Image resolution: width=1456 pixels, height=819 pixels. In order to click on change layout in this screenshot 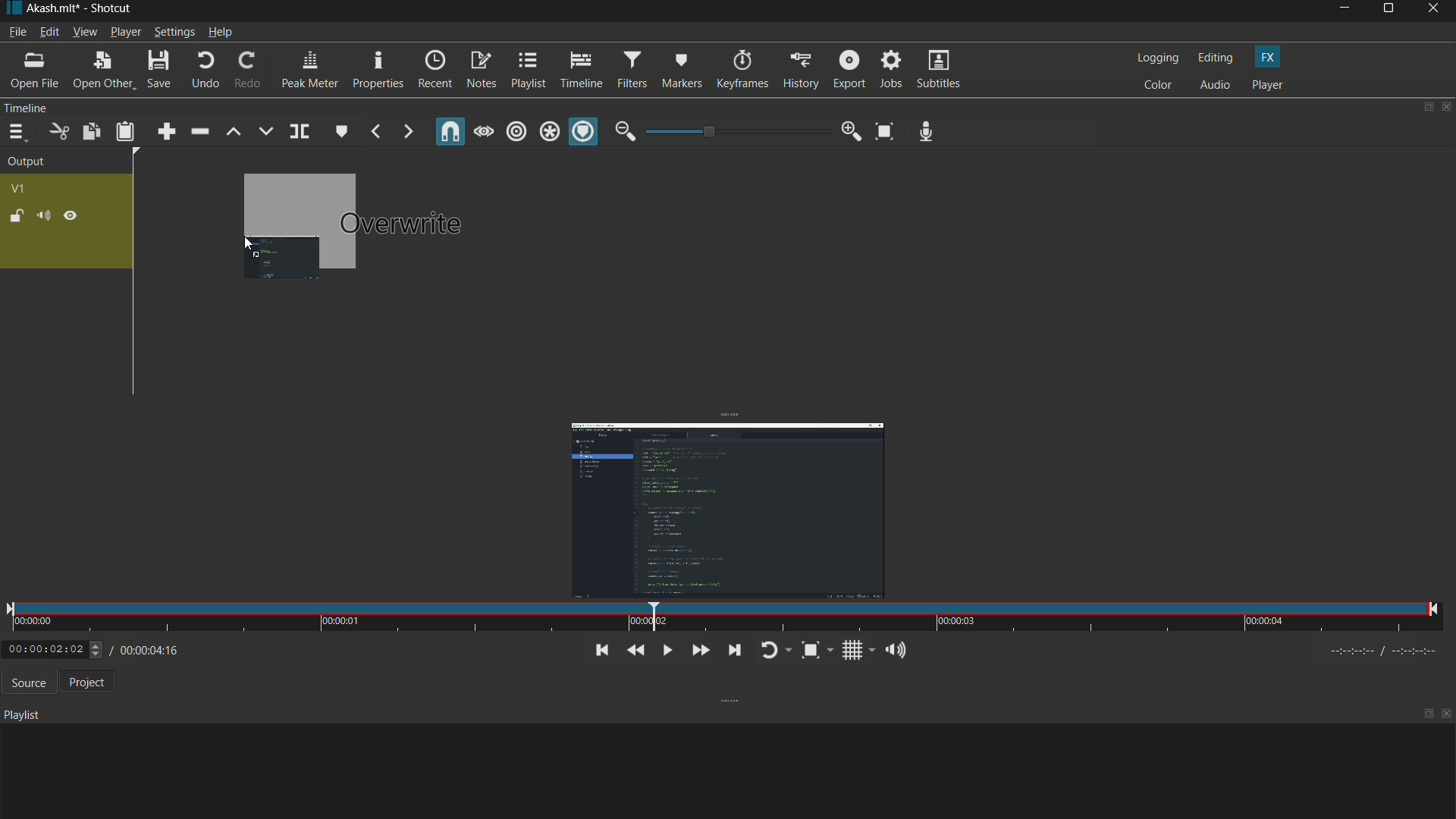, I will do `click(1423, 107)`.